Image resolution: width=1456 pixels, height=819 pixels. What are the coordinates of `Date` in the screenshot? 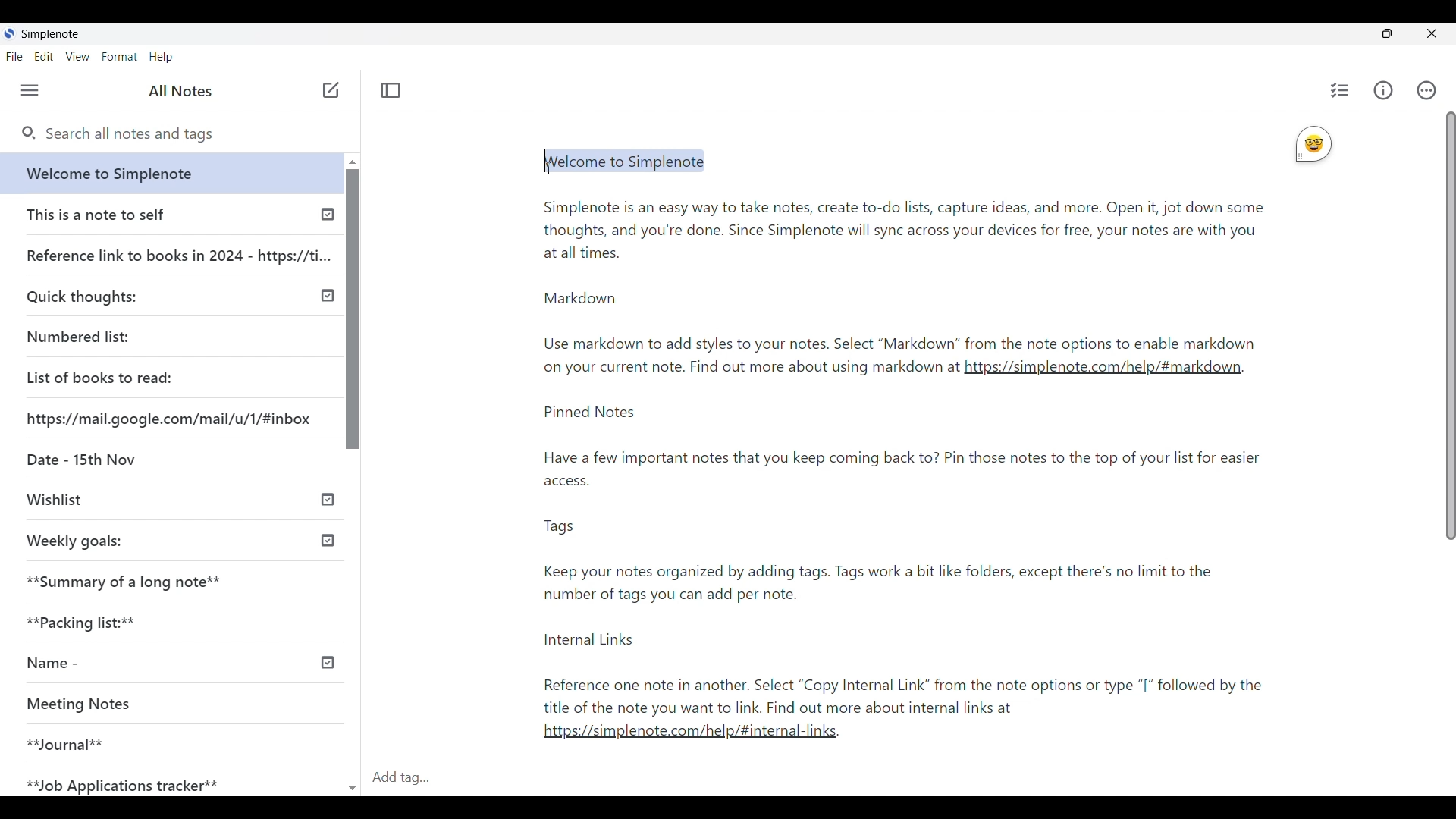 It's located at (80, 457).